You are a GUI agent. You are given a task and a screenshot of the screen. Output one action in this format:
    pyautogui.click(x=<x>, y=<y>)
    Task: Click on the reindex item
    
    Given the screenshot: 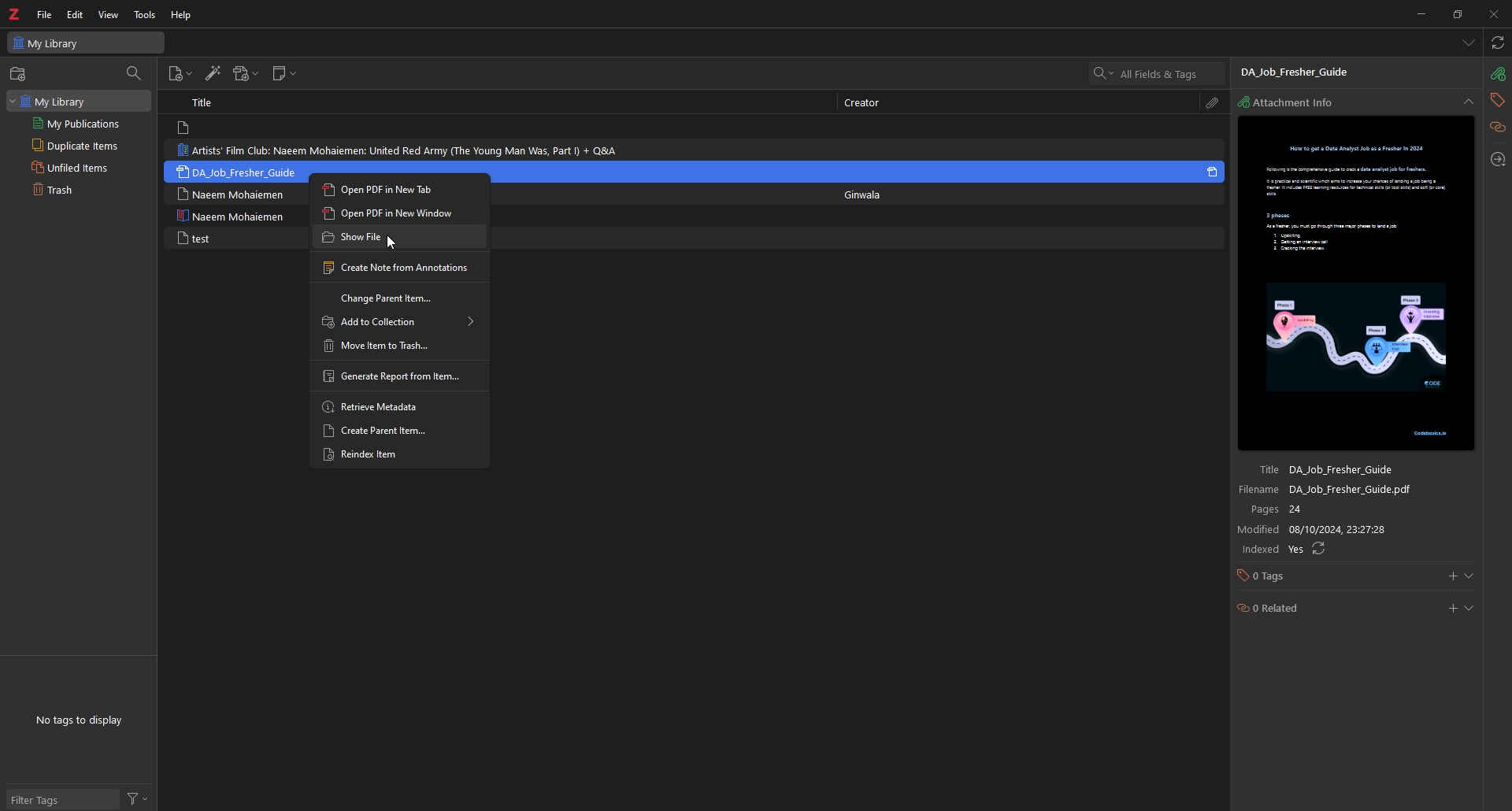 What is the action you would take?
    pyautogui.click(x=396, y=456)
    